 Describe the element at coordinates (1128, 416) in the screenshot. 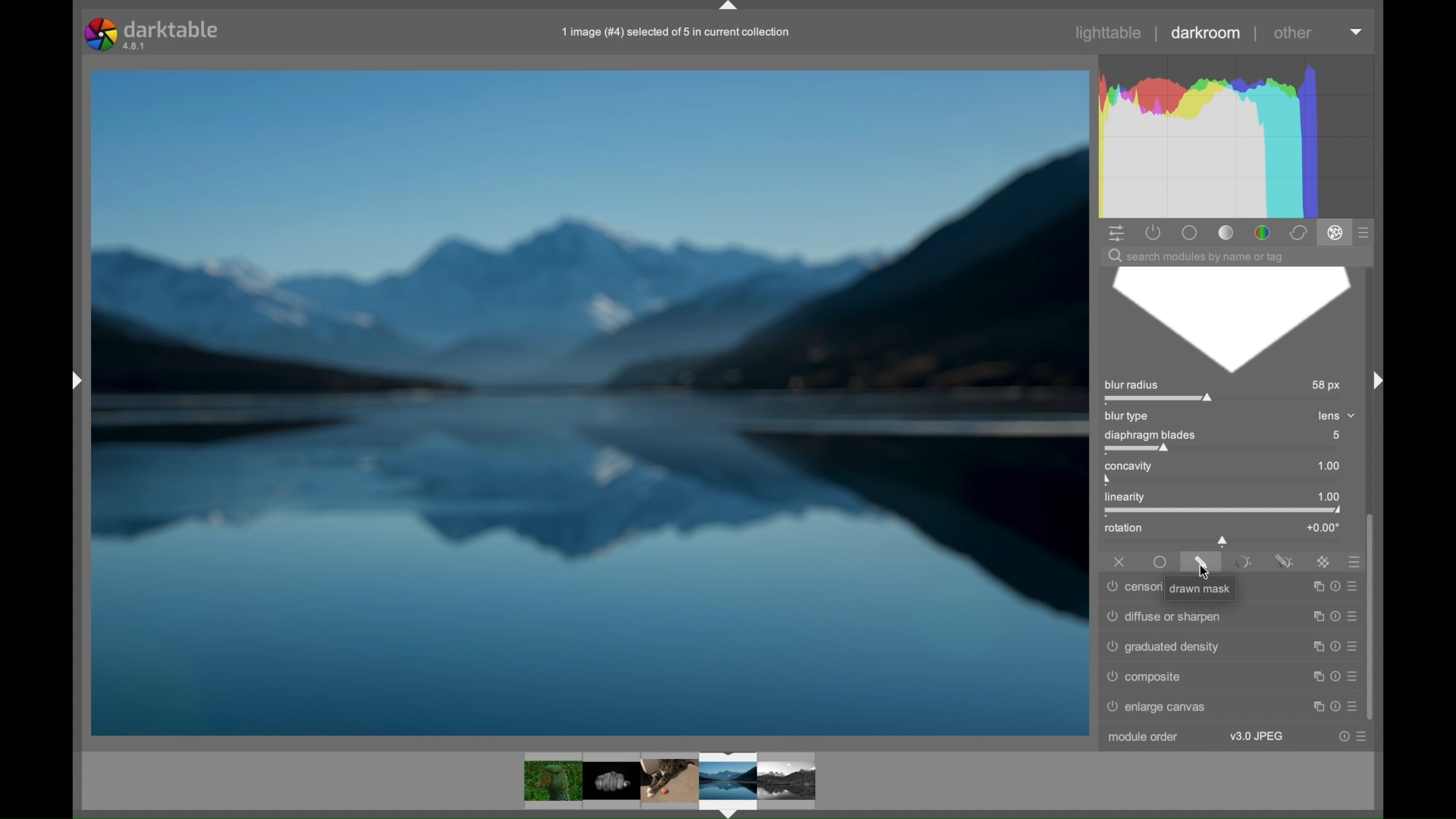

I see `blur type` at that location.